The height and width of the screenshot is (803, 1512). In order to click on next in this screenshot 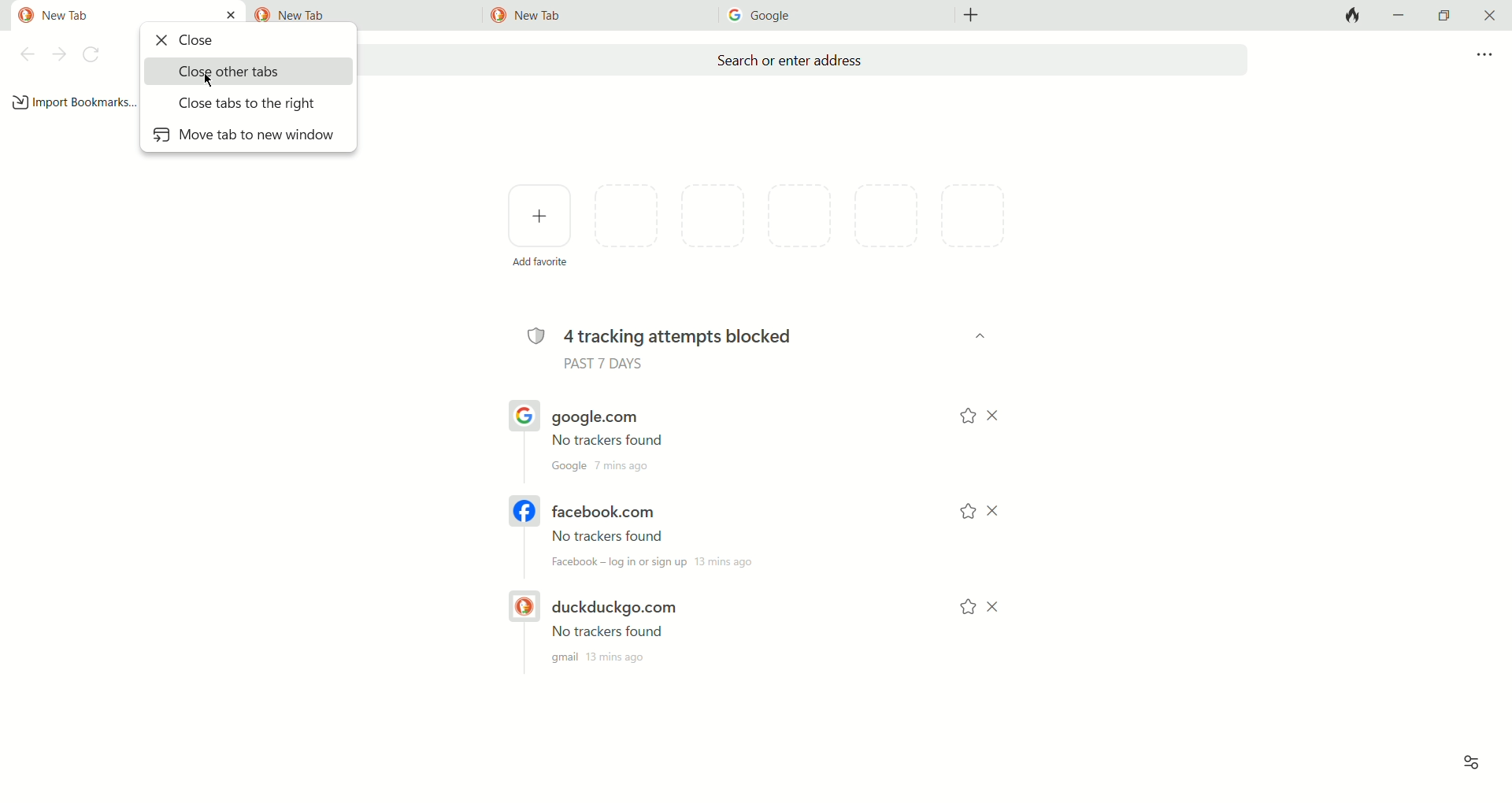, I will do `click(61, 57)`.